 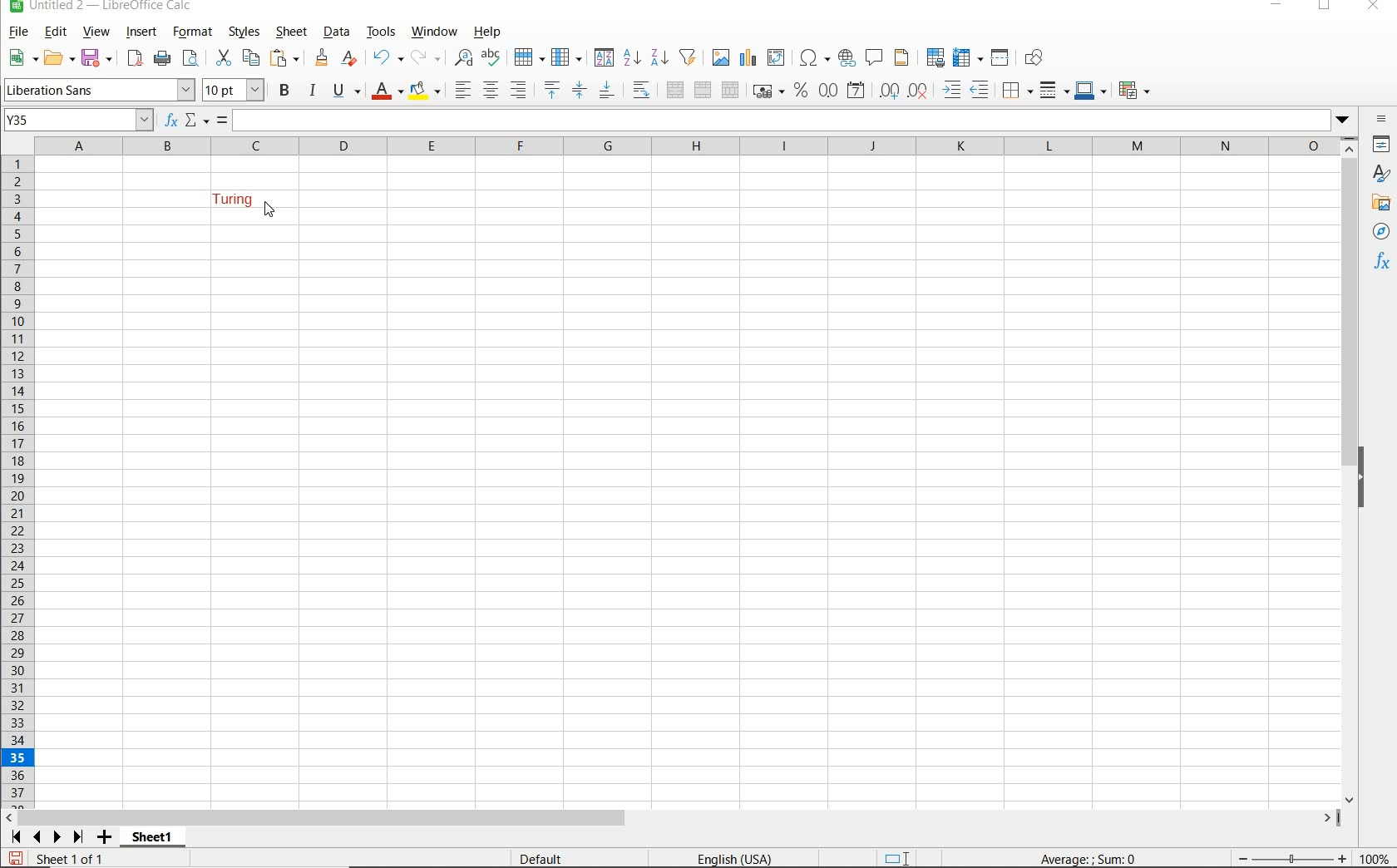 What do you see at coordinates (776, 57) in the screenshot?
I see `INSERT OR EDIT PIVOT TABLE` at bounding box center [776, 57].